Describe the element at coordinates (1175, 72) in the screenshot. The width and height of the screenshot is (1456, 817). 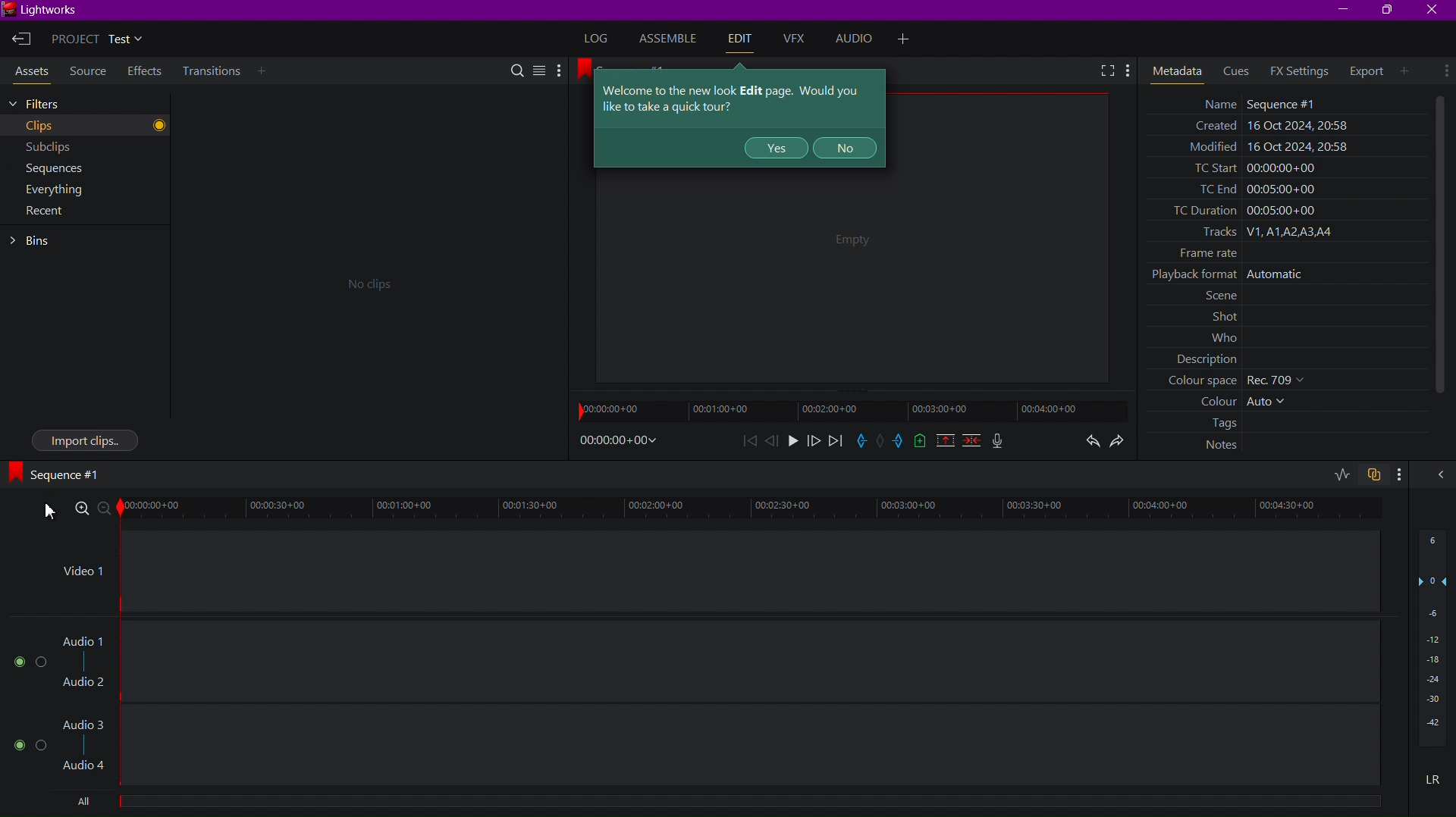
I see `Meta Data` at that location.